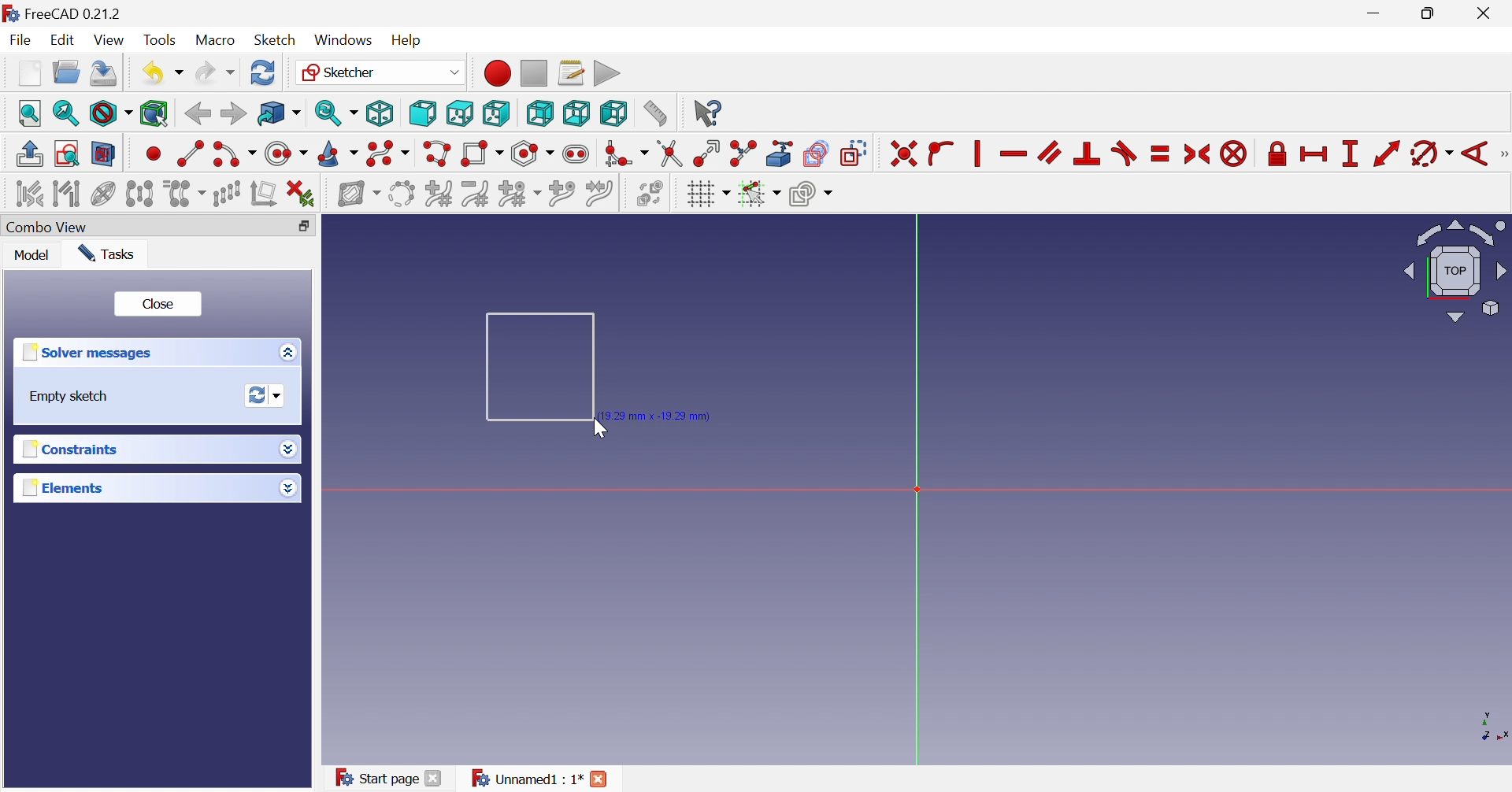 The image size is (1512, 792). What do you see at coordinates (571, 72) in the screenshot?
I see `Macros...` at bounding box center [571, 72].